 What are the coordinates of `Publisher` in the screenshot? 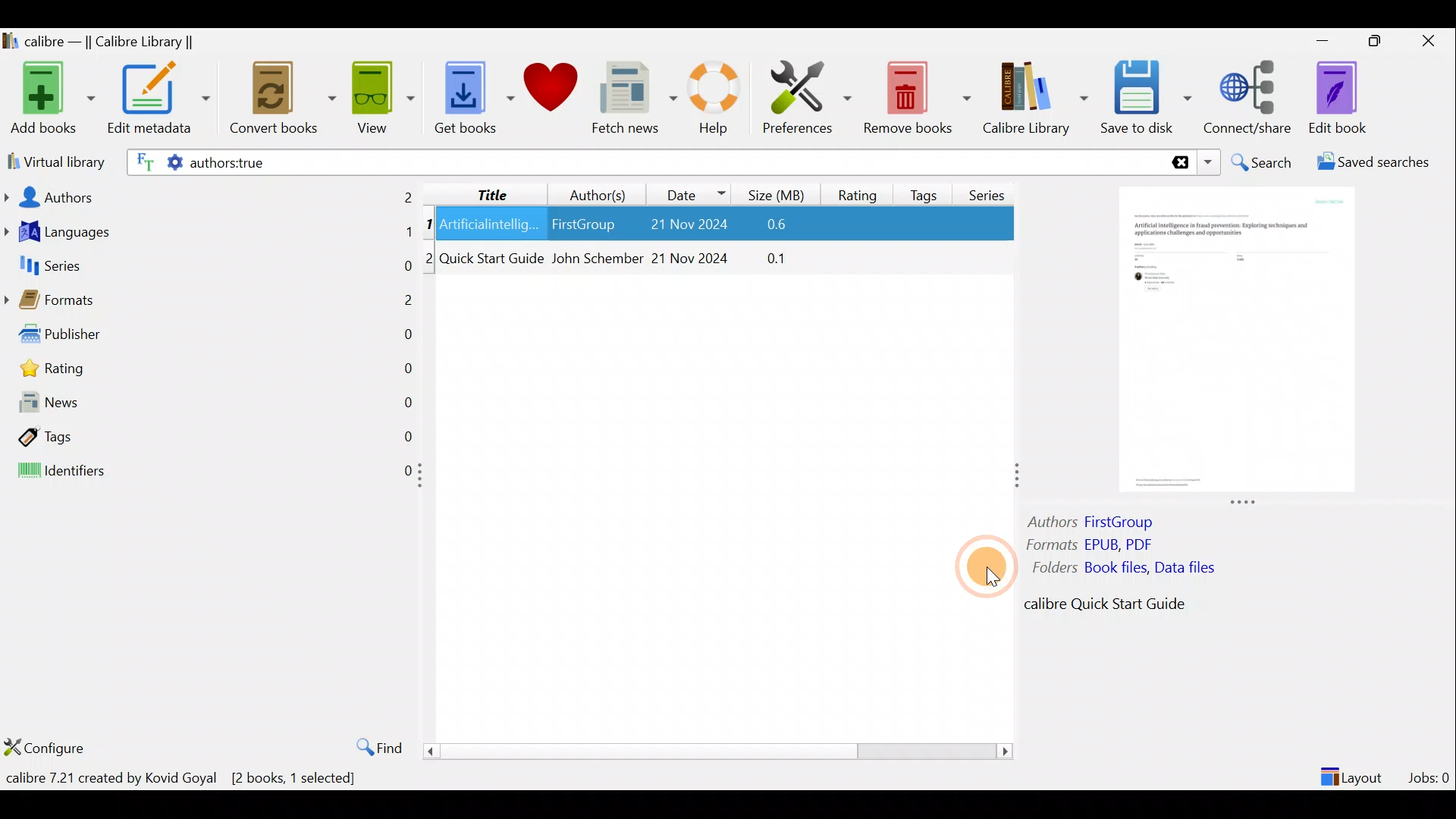 It's located at (211, 337).